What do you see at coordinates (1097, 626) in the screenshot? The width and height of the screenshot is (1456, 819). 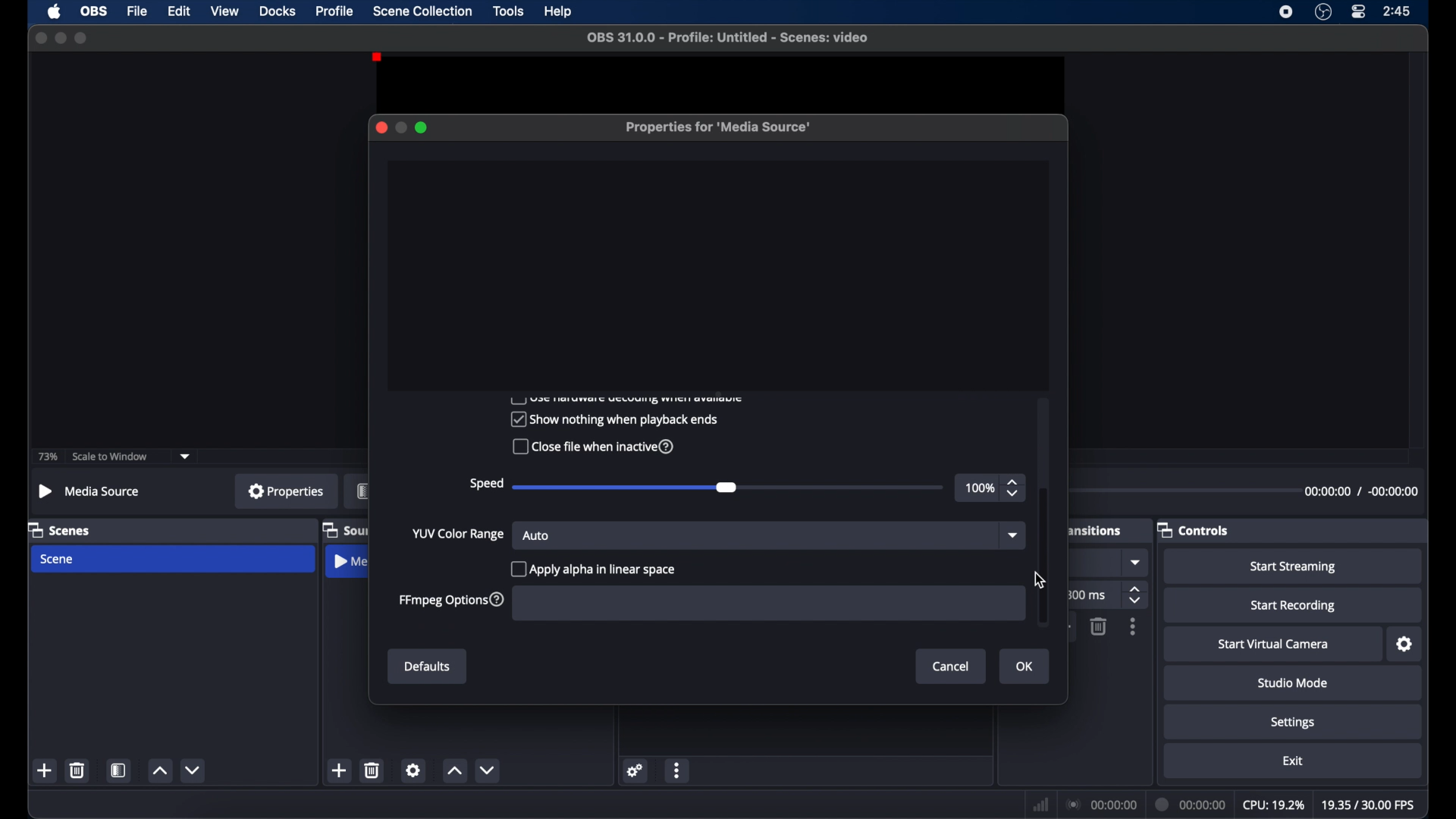 I see `delete` at bounding box center [1097, 626].